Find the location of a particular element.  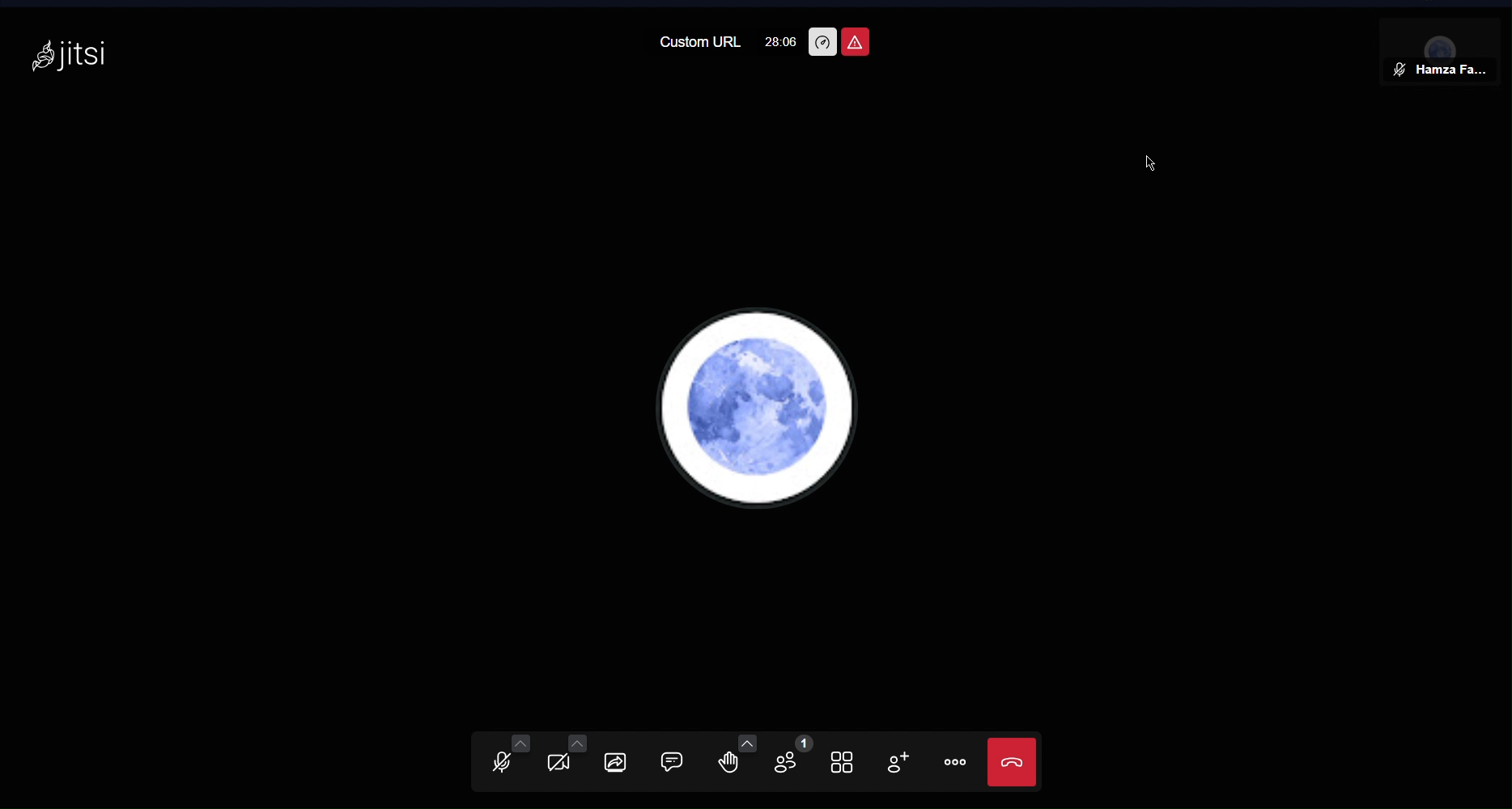

Jitsi is located at coordinates (70, 54).